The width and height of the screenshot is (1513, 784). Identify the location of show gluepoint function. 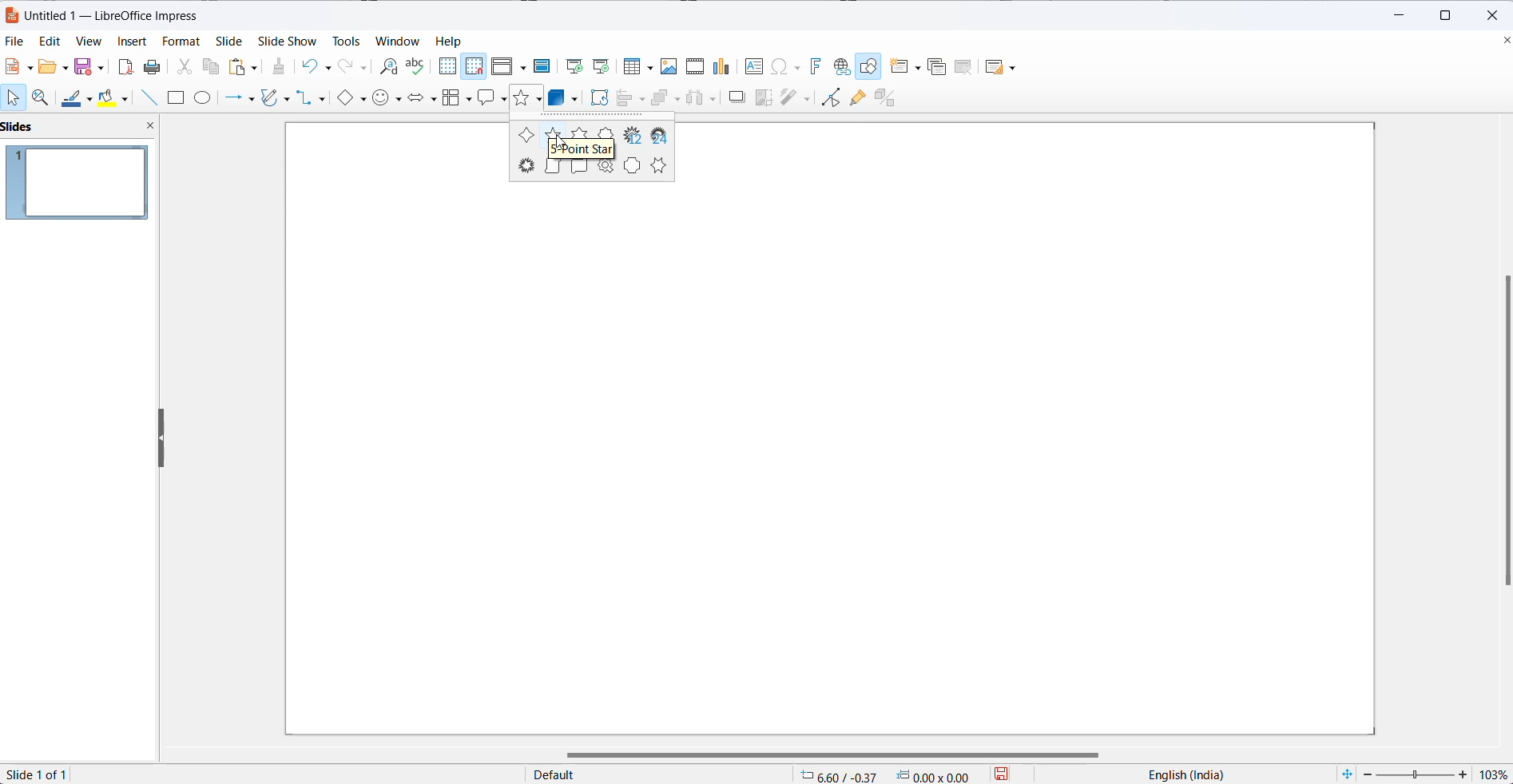
(857, 98).